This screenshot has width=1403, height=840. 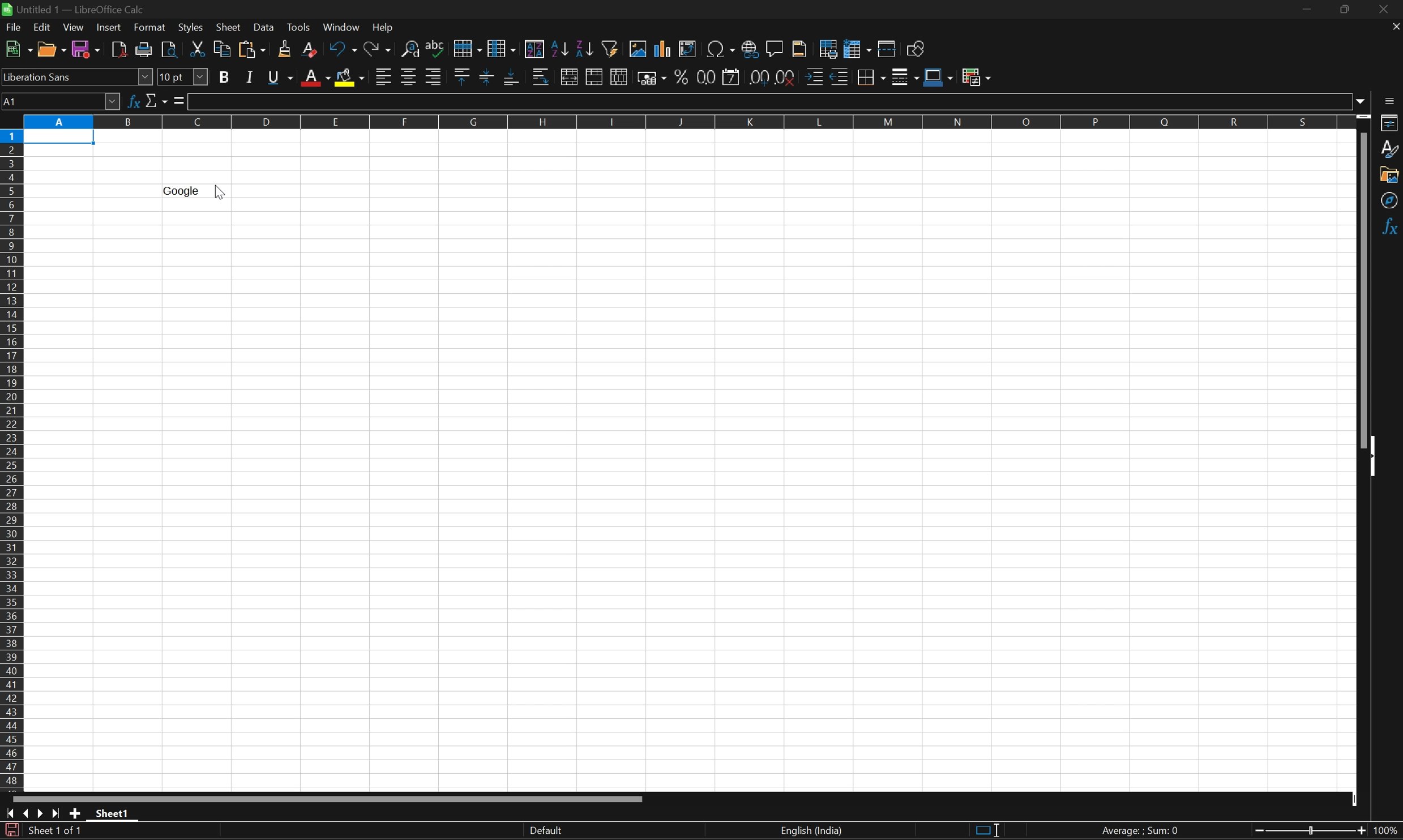 I want to click on Zoom out, so click(x=1359, y=832).